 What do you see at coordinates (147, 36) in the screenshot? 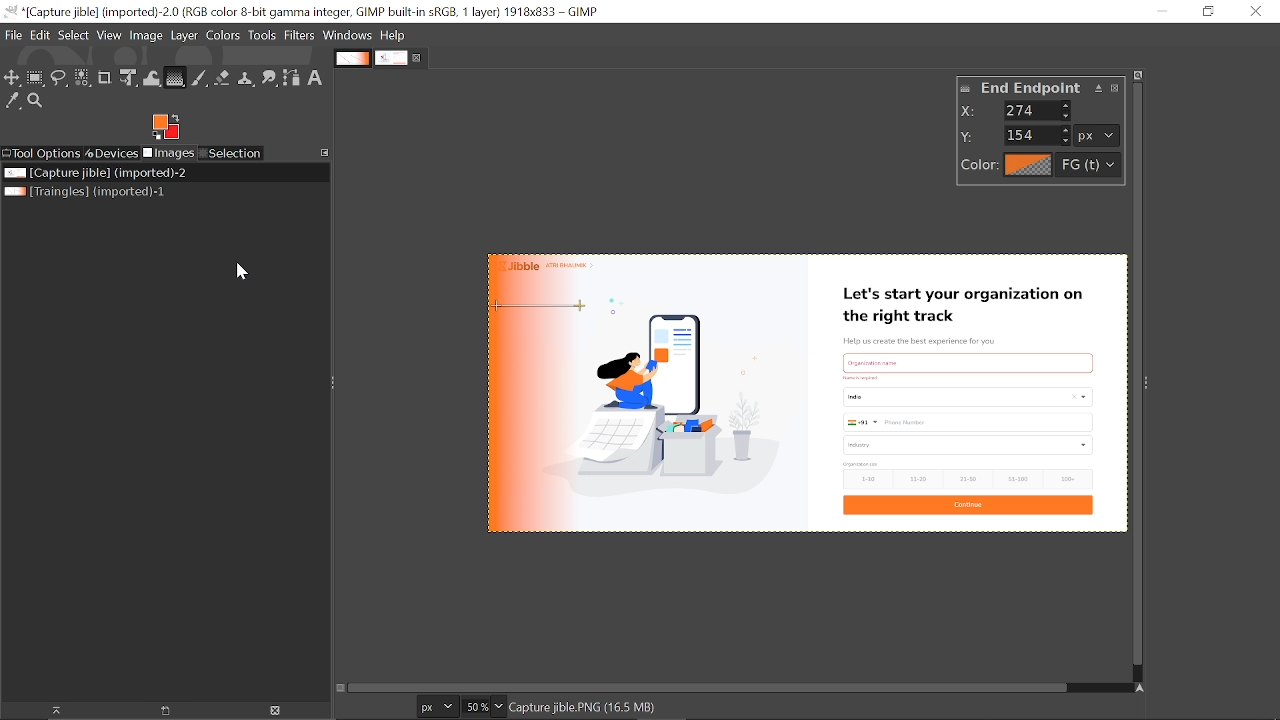
I see `Image` at bounding box center [147, 36].